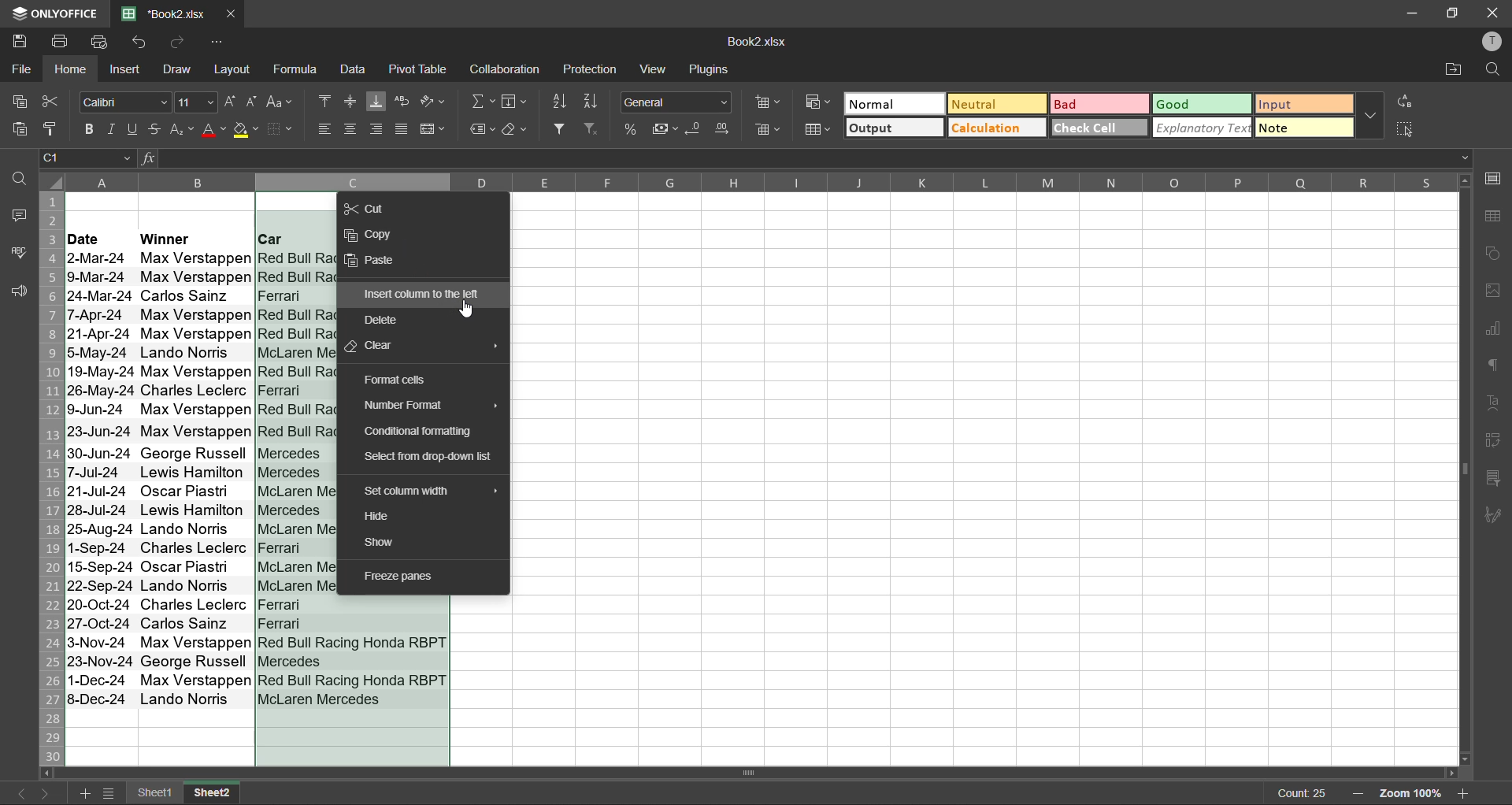 This screenshot has width=1512, height=805. Describe the element at coordinates (1492, 443) in the screenshot. I see `pivot table` at that location.